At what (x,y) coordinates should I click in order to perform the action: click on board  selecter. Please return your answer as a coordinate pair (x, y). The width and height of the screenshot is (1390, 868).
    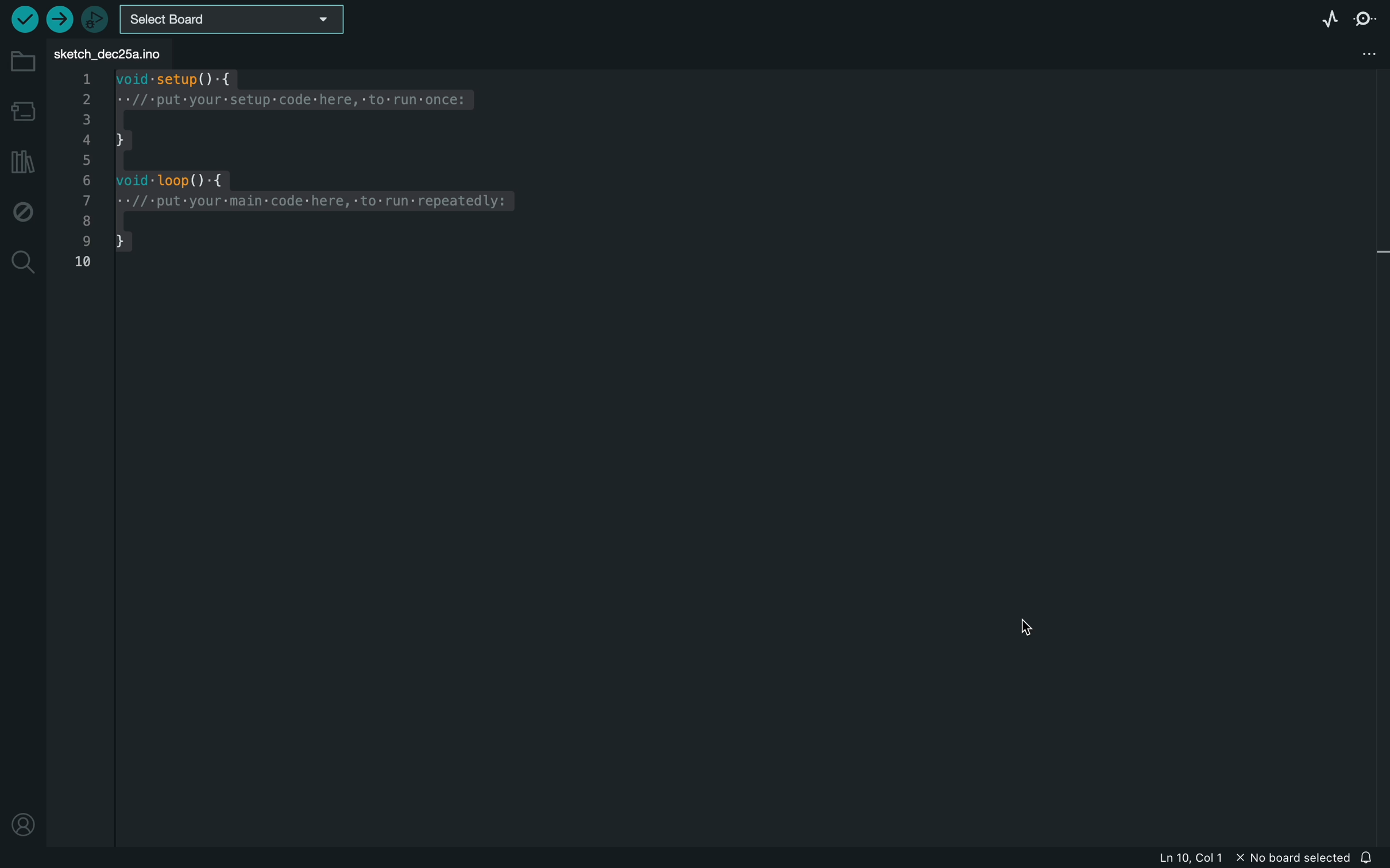
    Looking at the image, I should click on (243, 18).